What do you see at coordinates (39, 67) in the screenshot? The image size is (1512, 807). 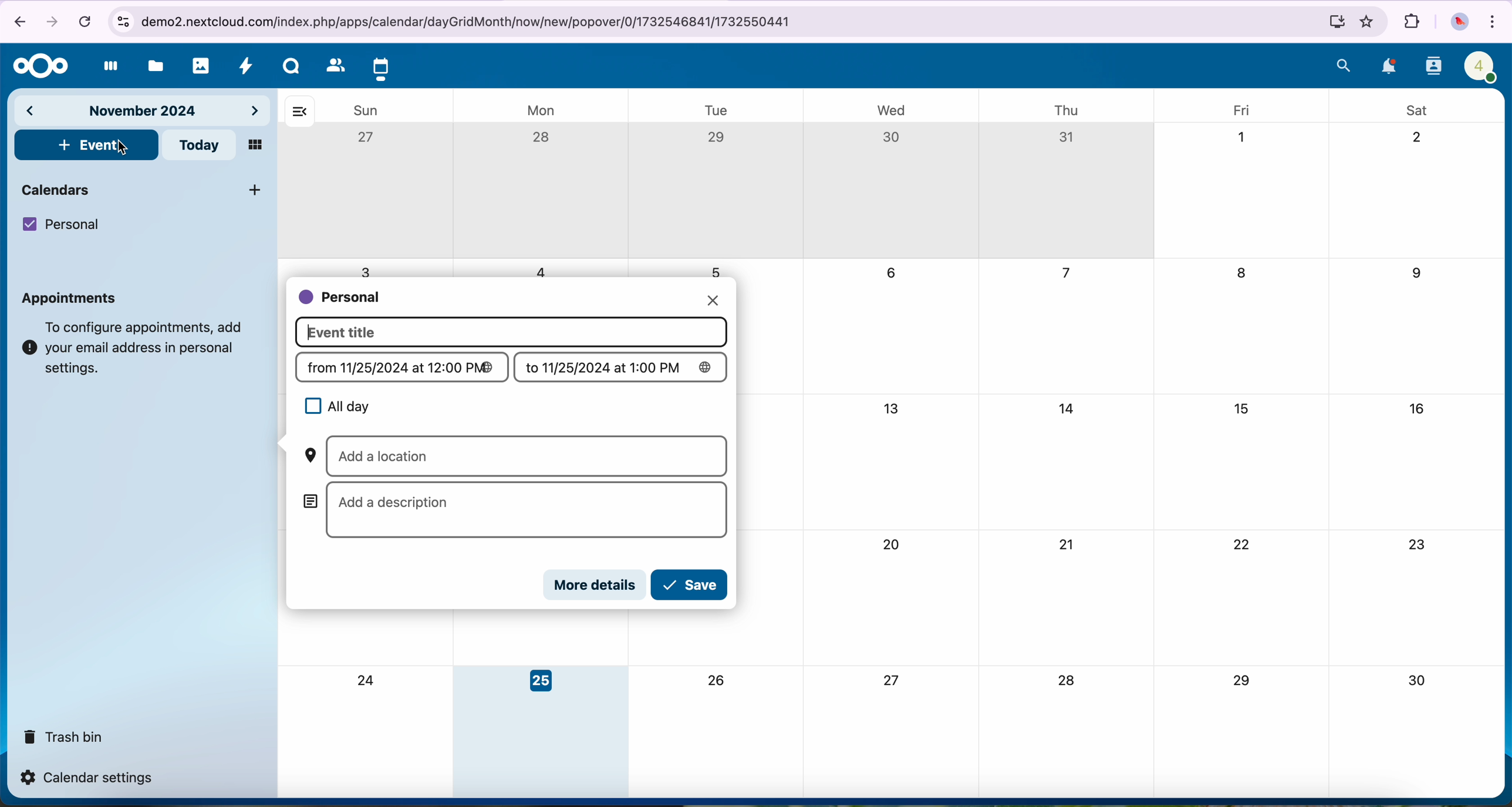 I see `Nextcloud logo` at bounding box center [39, 67].